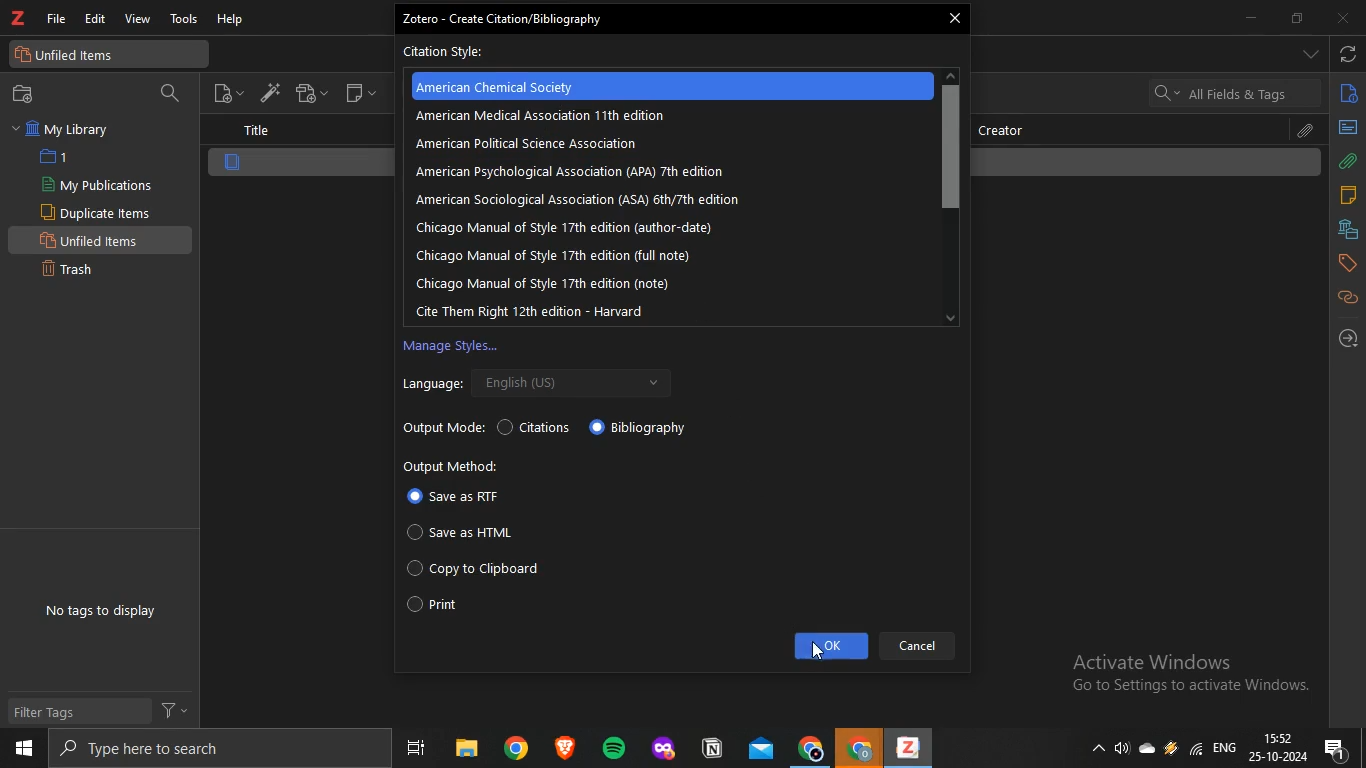 Image resolution: width=1366 pixels, height=768 pixels. What do you see at coordinates (832, 646) in the screenshot?
I see `ok` at bounding box center [832, 646].